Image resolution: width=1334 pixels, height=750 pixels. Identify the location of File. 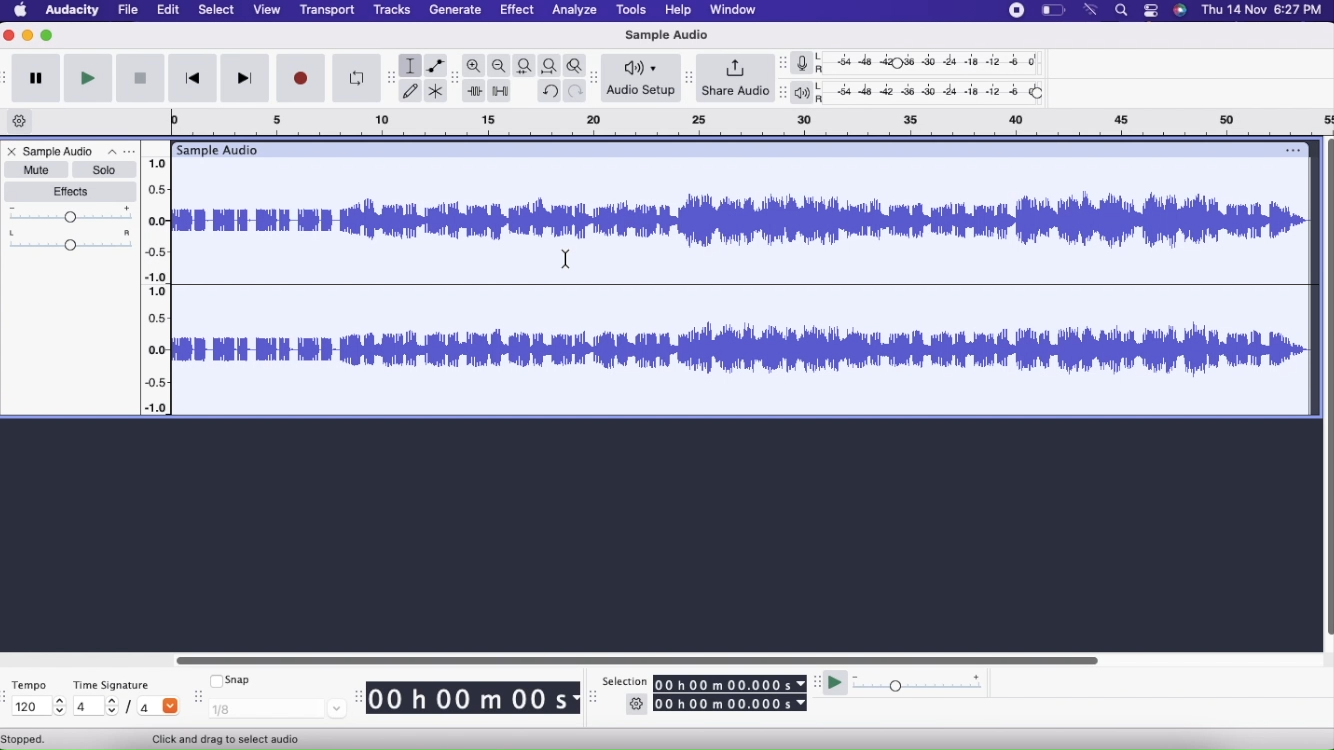
(128, 10).